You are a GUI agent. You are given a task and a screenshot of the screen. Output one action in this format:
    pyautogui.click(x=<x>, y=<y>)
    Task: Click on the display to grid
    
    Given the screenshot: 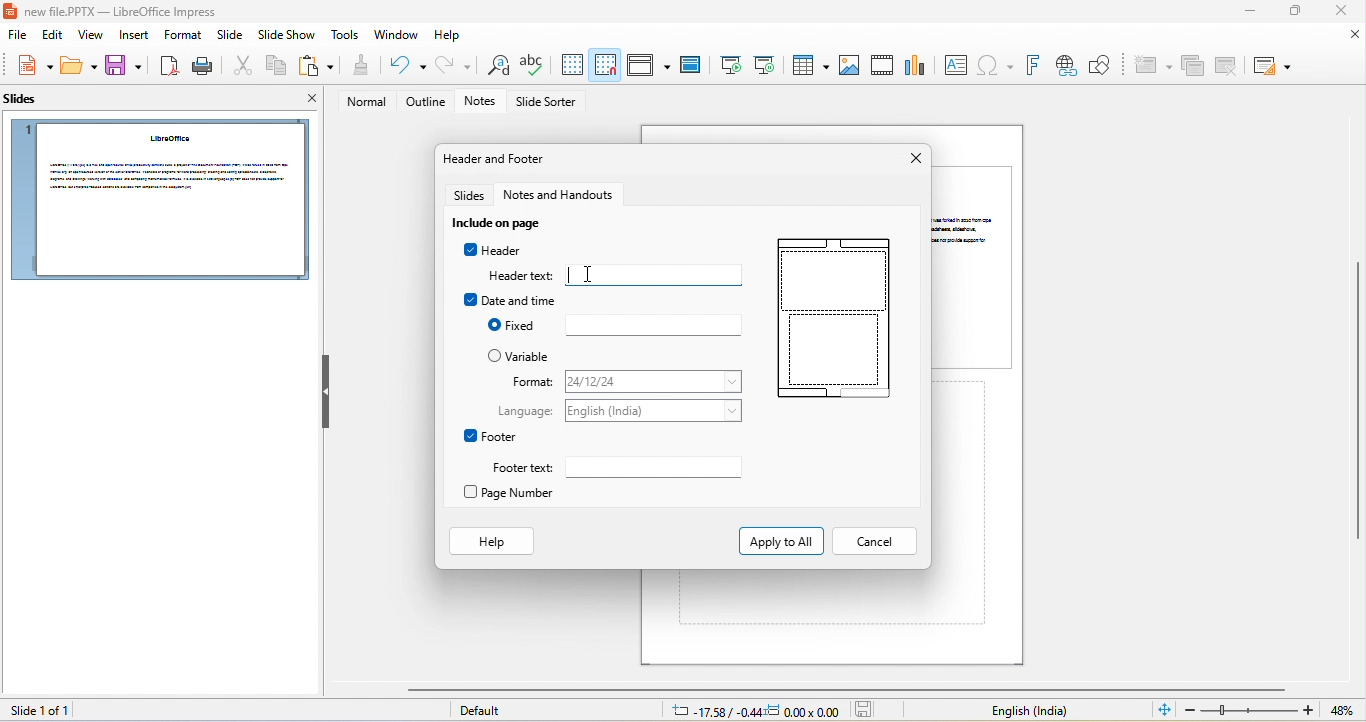 What is the action you would take?
    pyautogui.click(x=571, y=65)
    